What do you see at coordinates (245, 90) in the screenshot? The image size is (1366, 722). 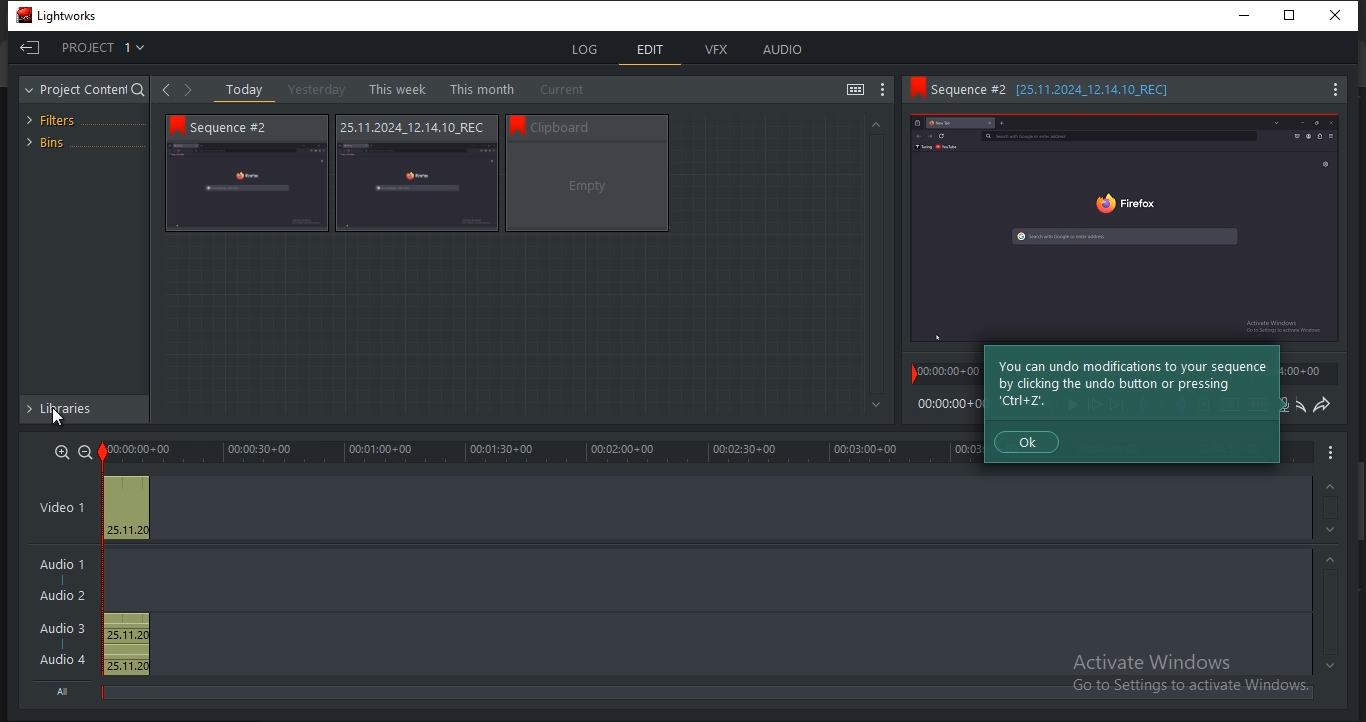 I see `today` at bounding box center [245, 90].